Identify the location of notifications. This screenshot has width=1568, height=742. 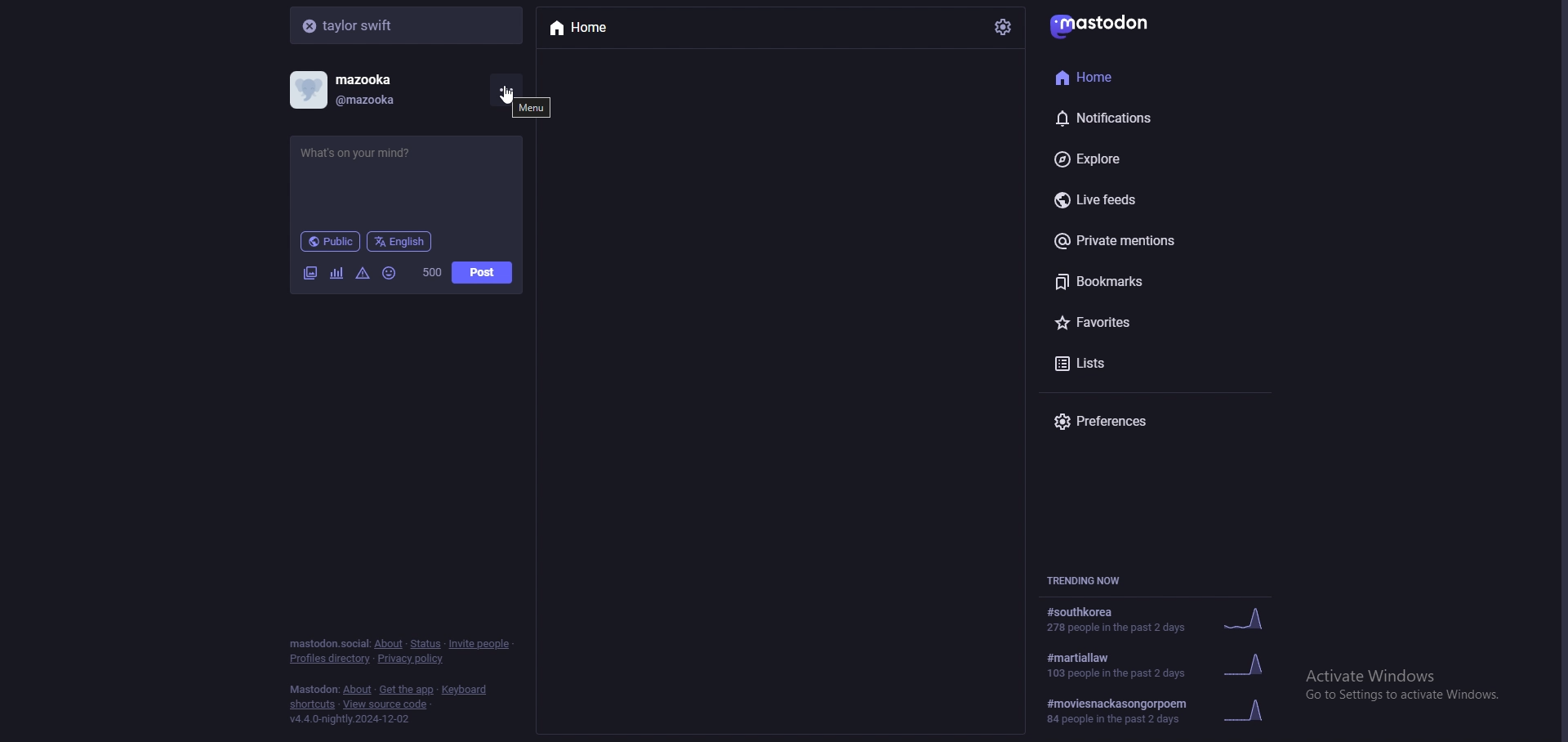
(1132, 118).